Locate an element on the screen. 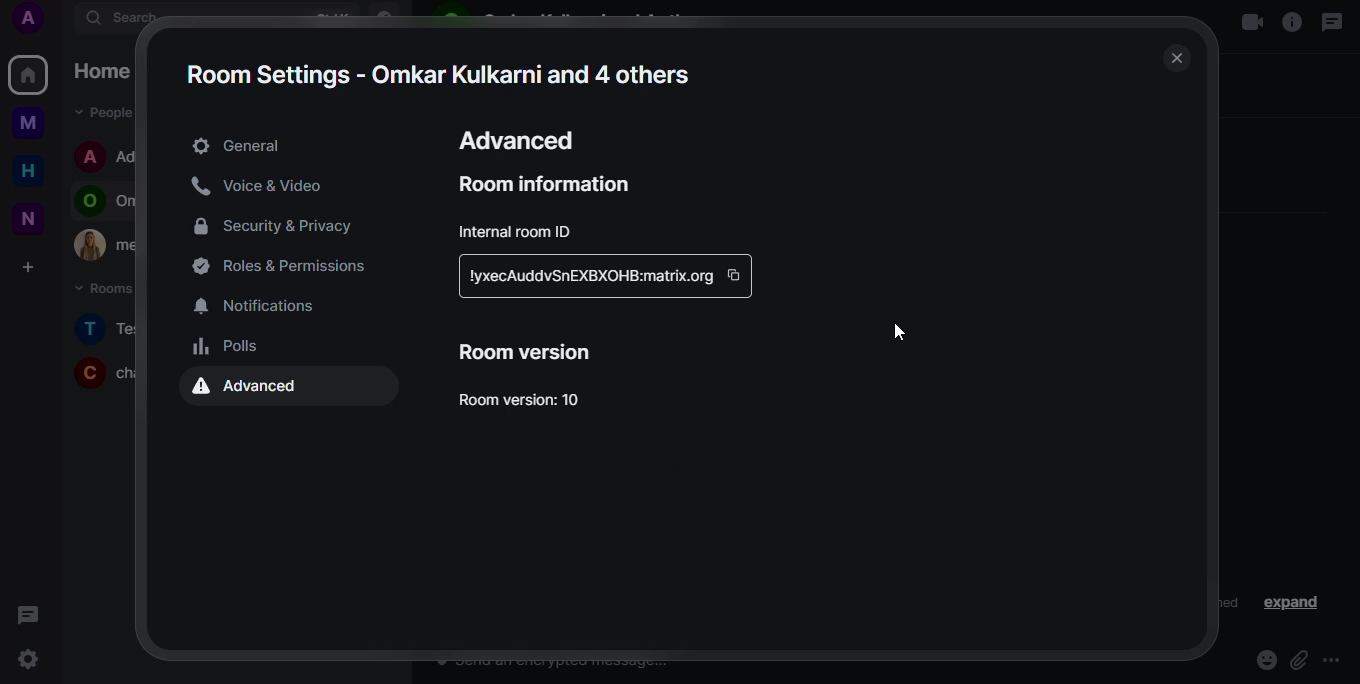  room id is located at coordinates (519, 231).